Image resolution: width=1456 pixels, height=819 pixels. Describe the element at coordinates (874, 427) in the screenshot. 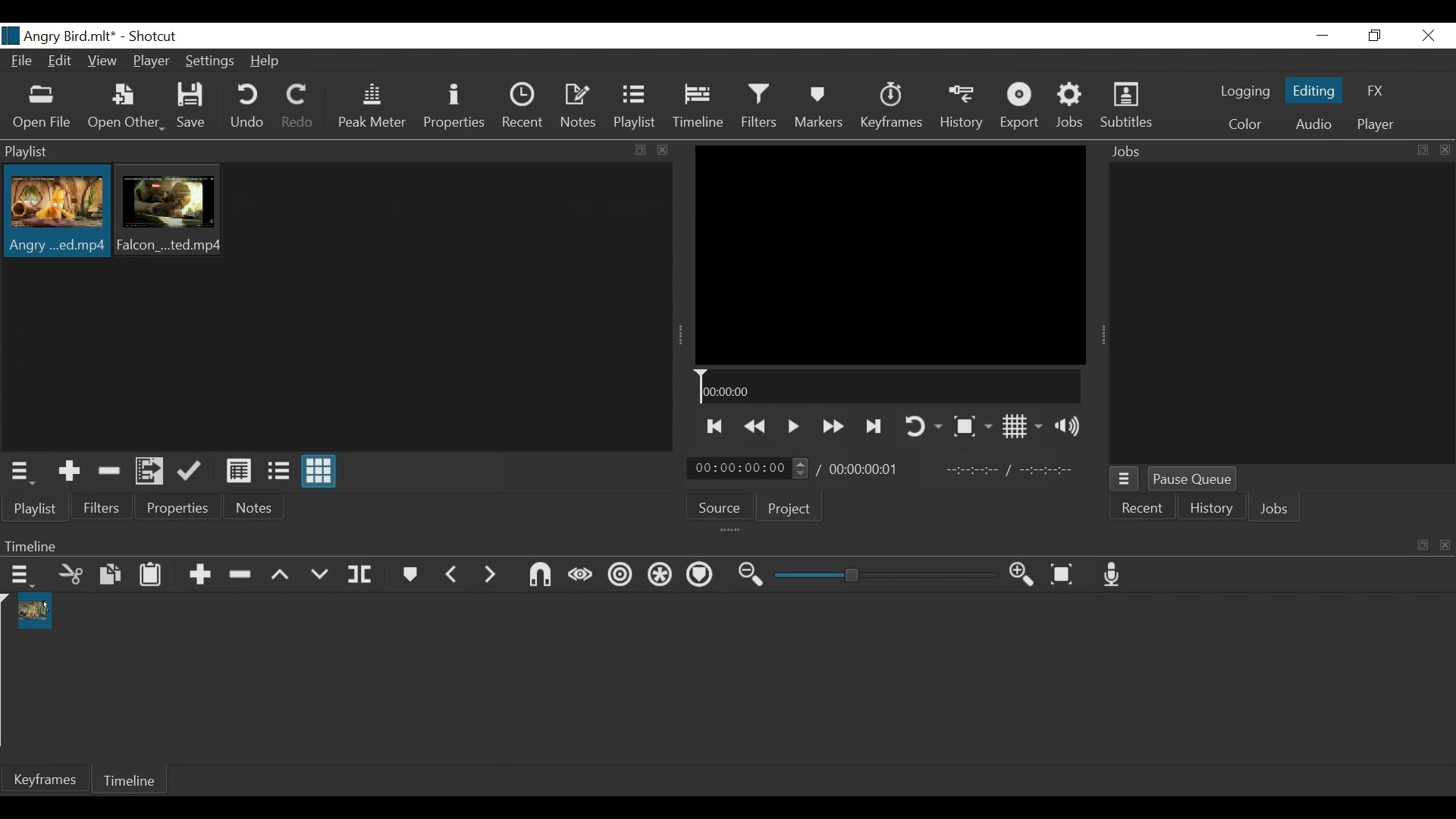

I see `Skip to the next point` at that location.